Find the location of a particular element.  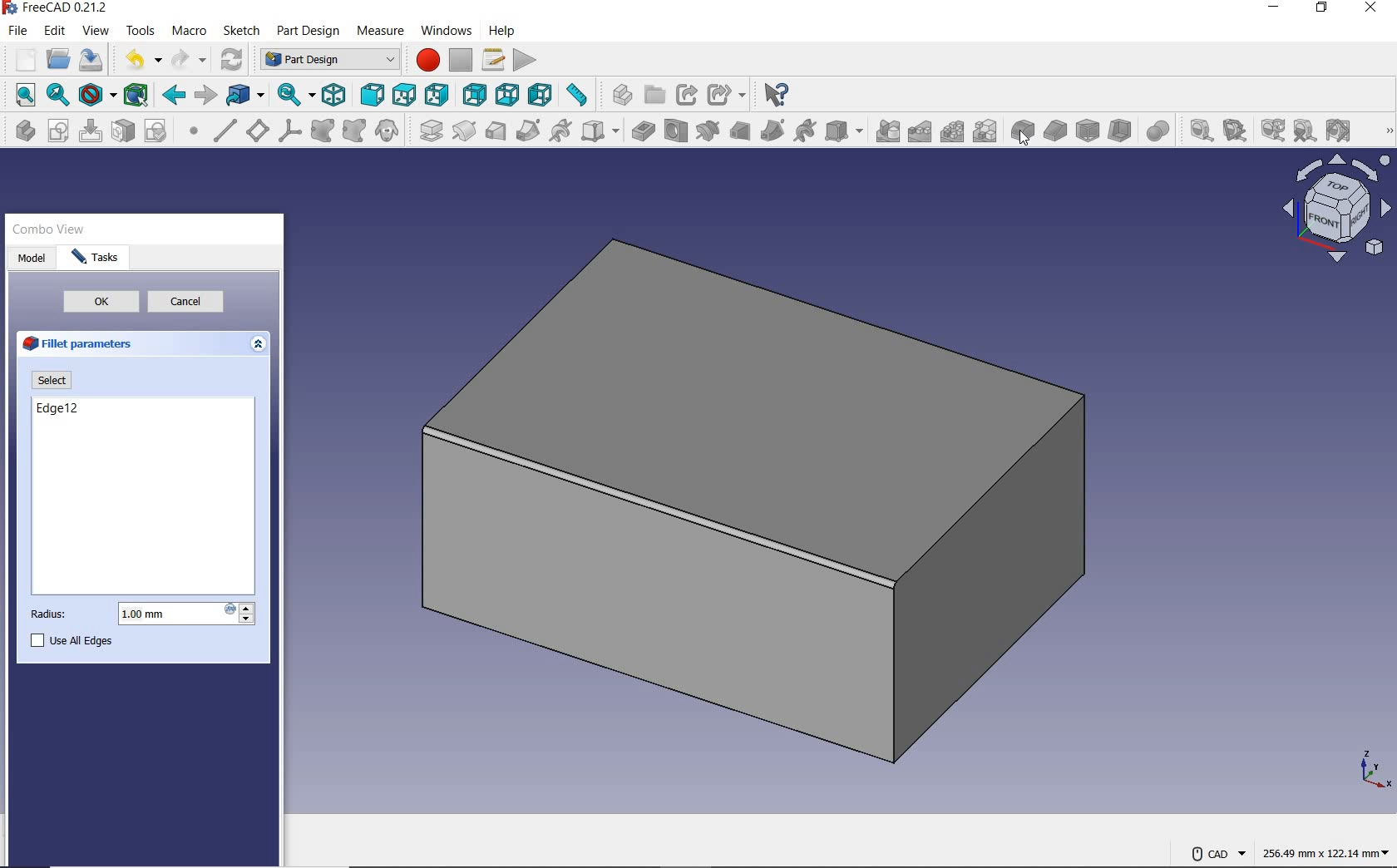

model is located at coordinates (32, 255).